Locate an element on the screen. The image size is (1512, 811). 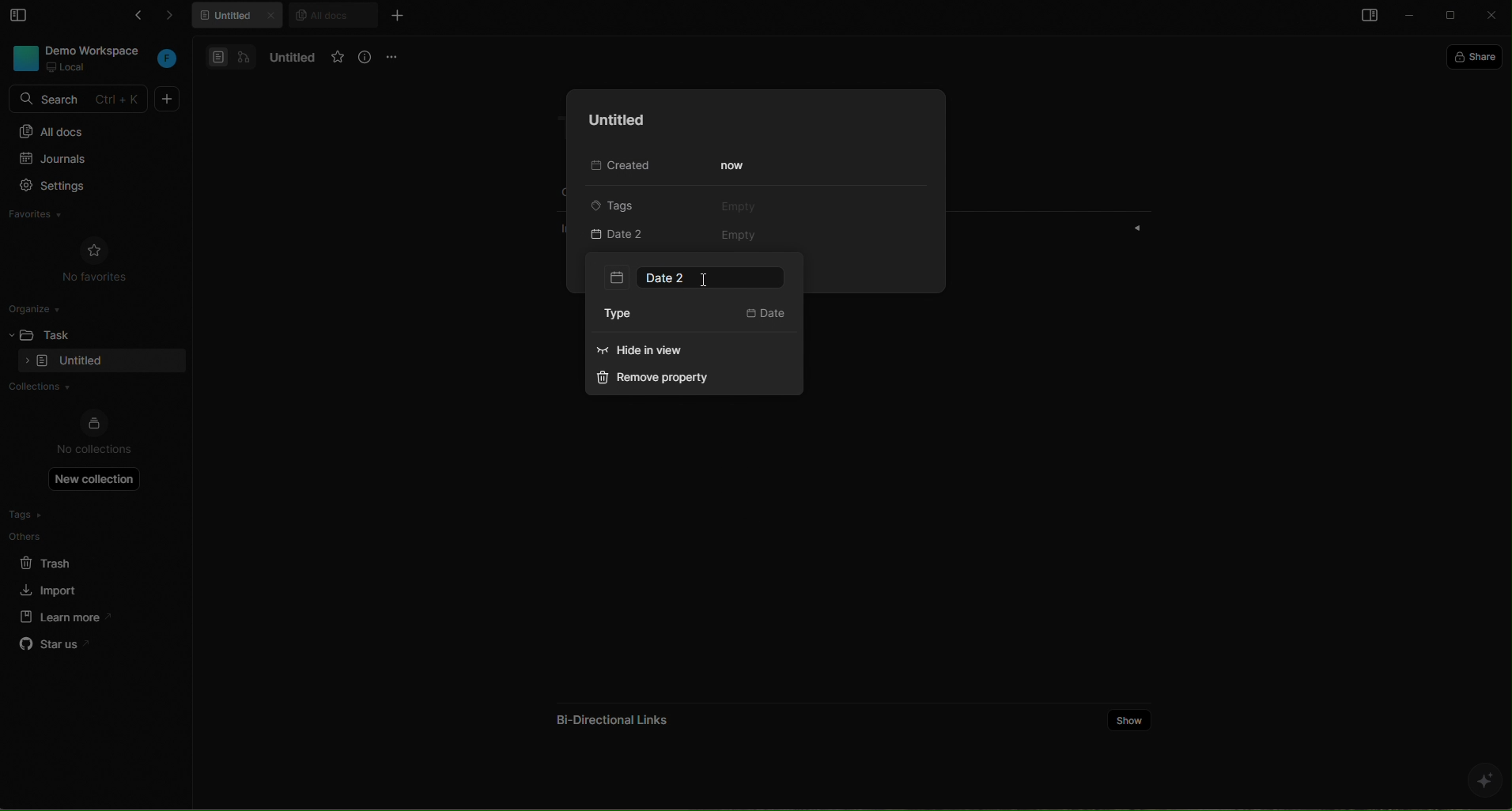
SEARCH is located at coordinates (81, 100).